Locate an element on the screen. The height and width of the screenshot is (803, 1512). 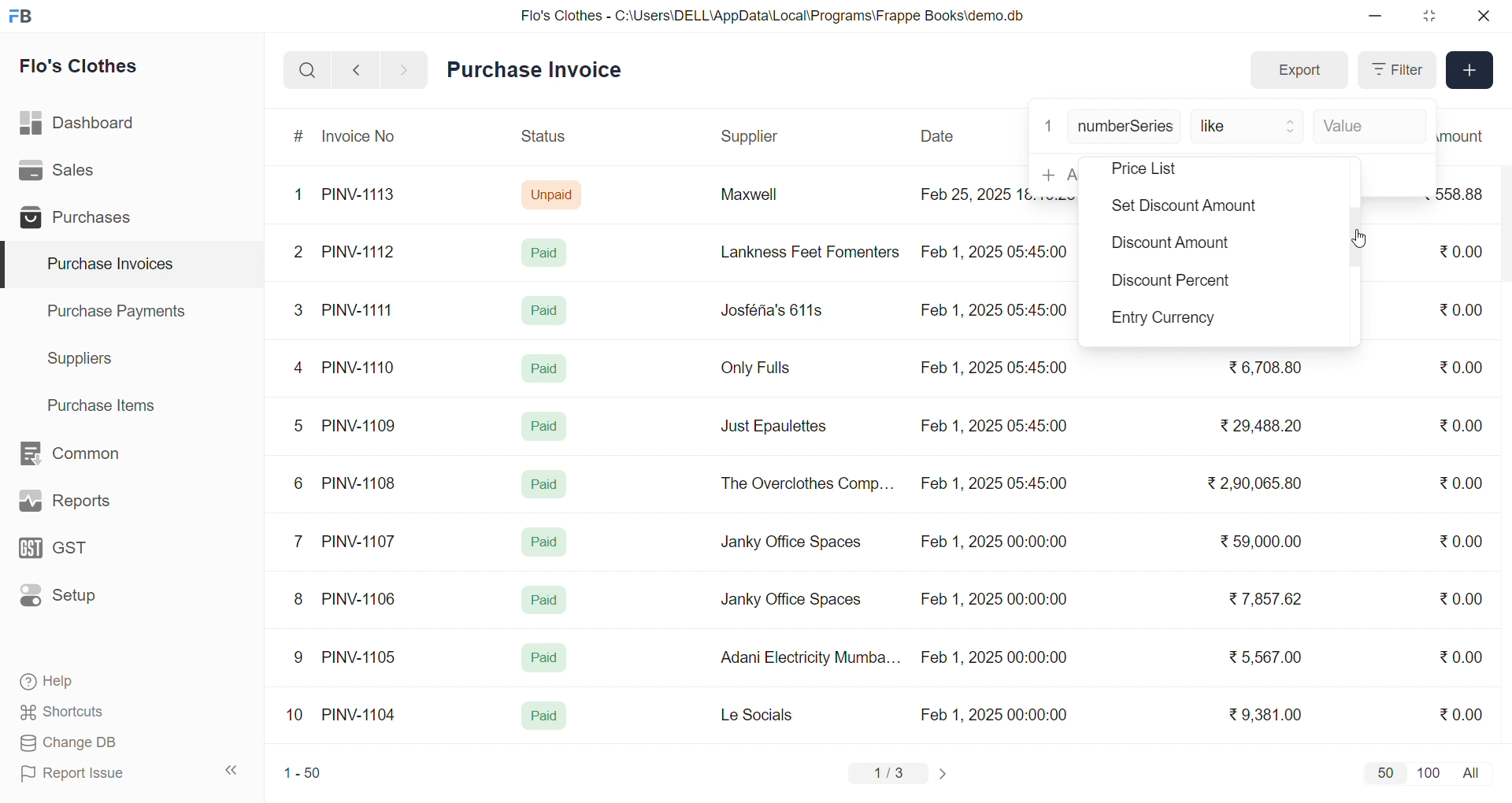
navigate forward is located at coordinates (406, 68).